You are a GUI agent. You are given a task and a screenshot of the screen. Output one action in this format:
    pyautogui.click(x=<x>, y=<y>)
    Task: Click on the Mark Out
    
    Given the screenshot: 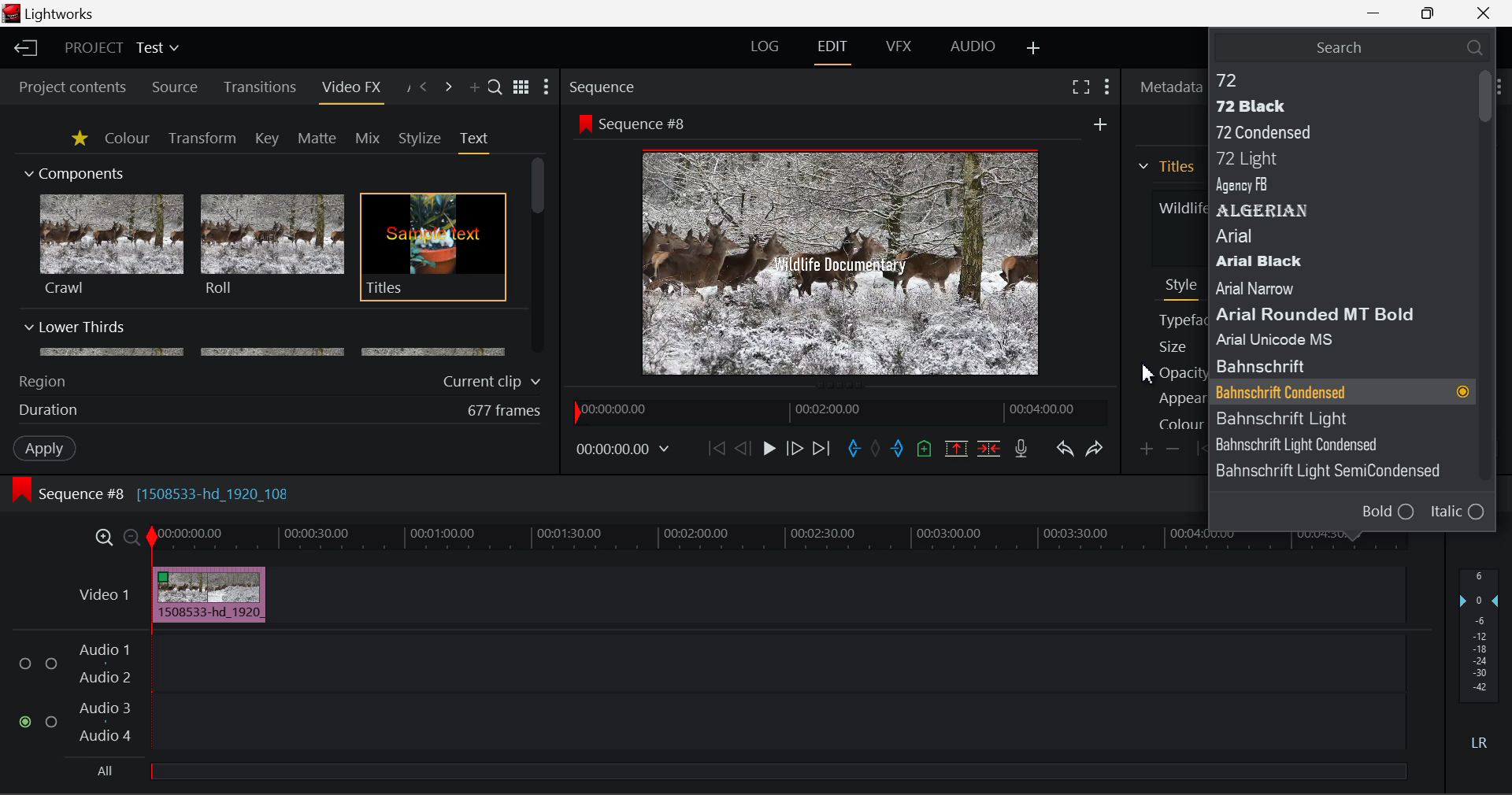 What is the action you would take?
    pyautogui.click(x=899, y=450)
    